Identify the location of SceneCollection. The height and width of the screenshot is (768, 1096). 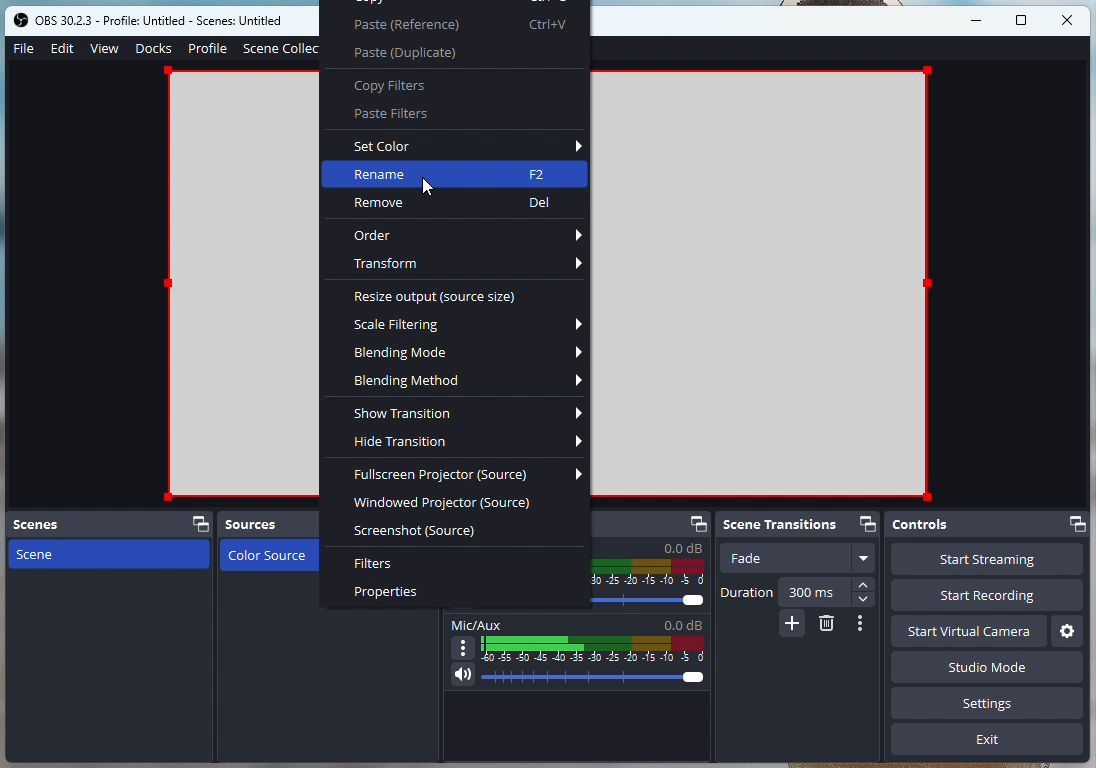
(285, 46).